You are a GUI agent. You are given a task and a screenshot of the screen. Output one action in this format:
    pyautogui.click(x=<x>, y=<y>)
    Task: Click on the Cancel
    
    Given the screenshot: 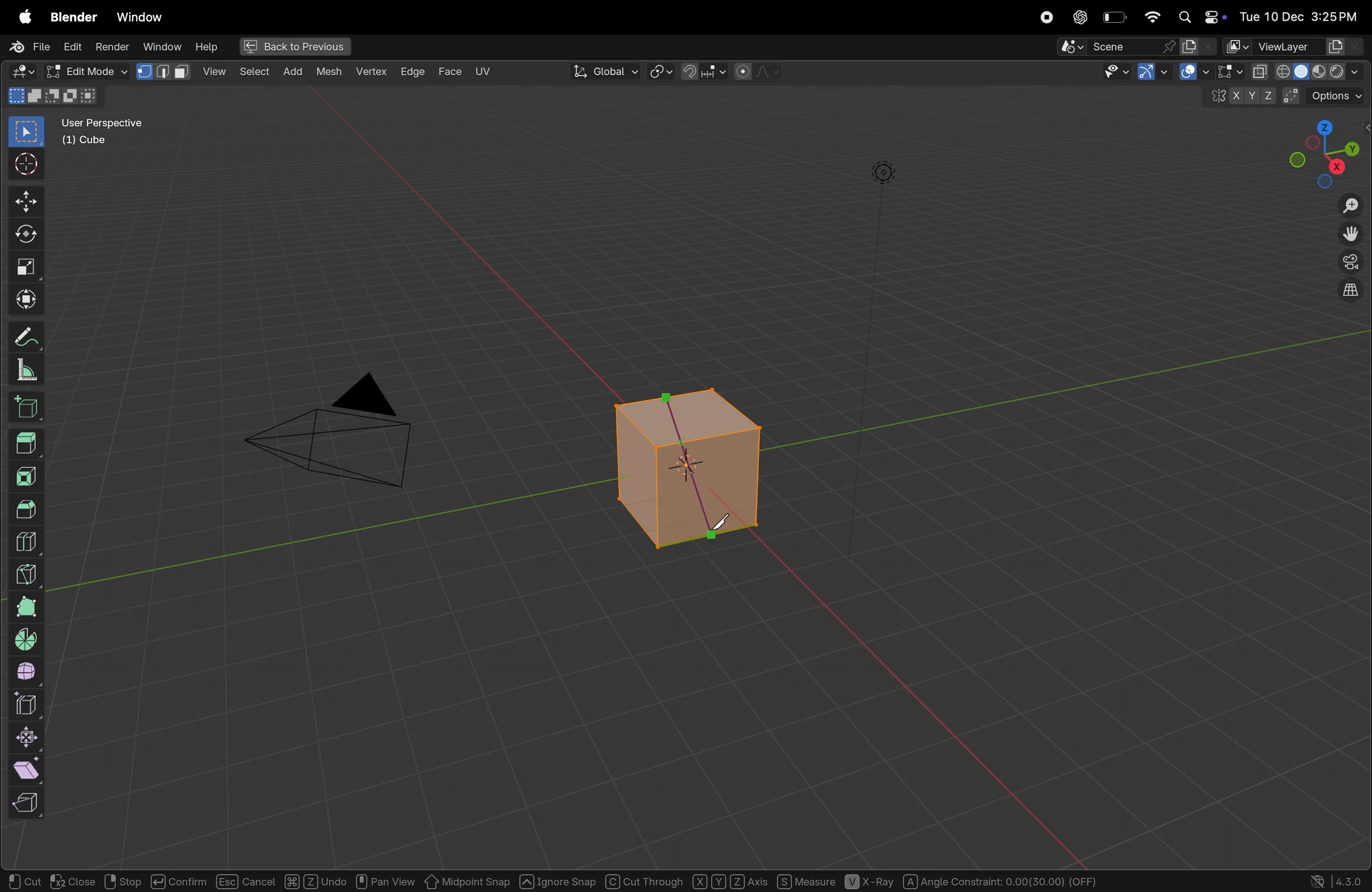 What is the action you would take?
    pyautogui.click(x=246, y=881)
    